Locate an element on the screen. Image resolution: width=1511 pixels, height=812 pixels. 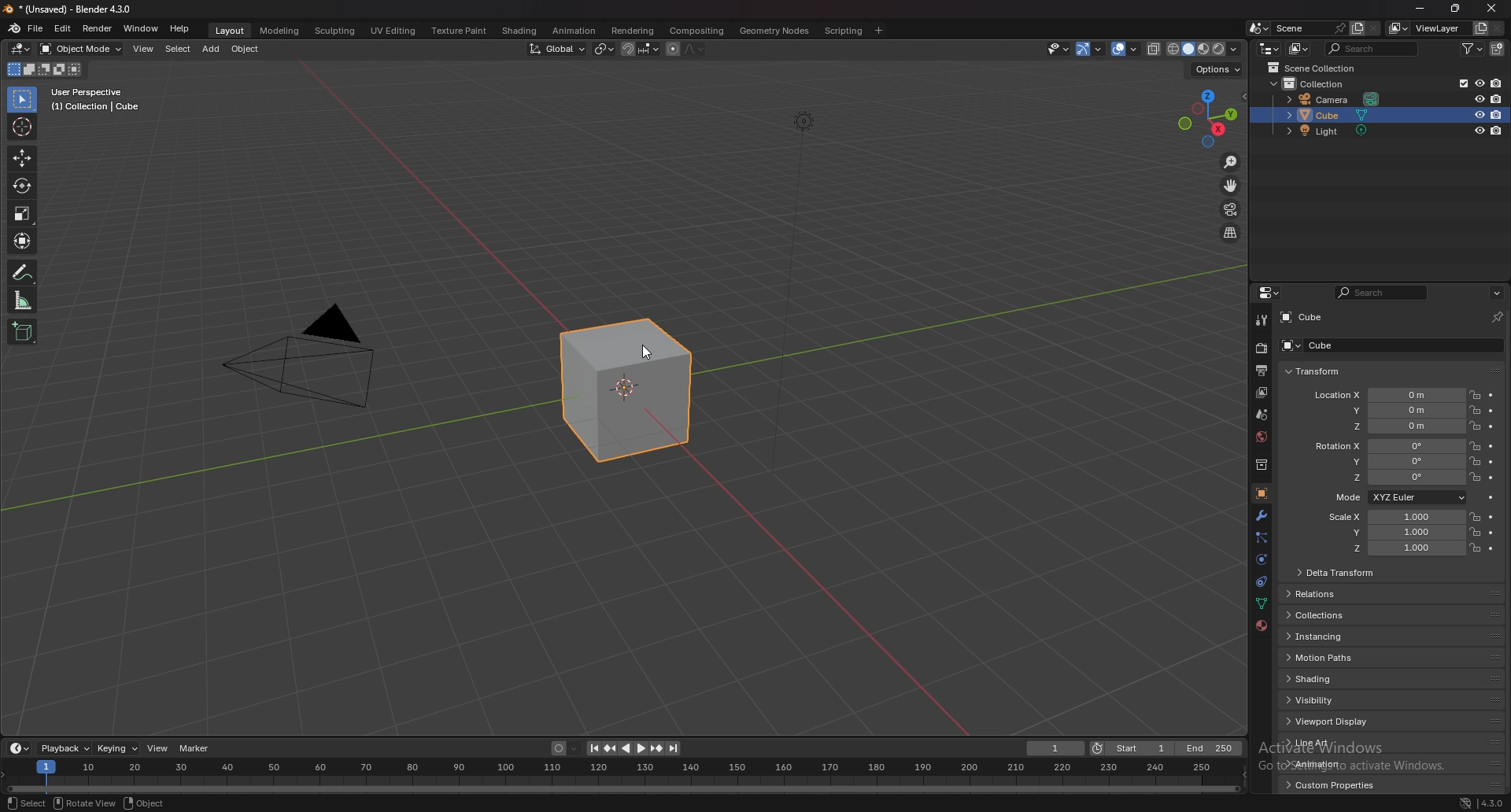
blender is located at coordinates (14, 28).